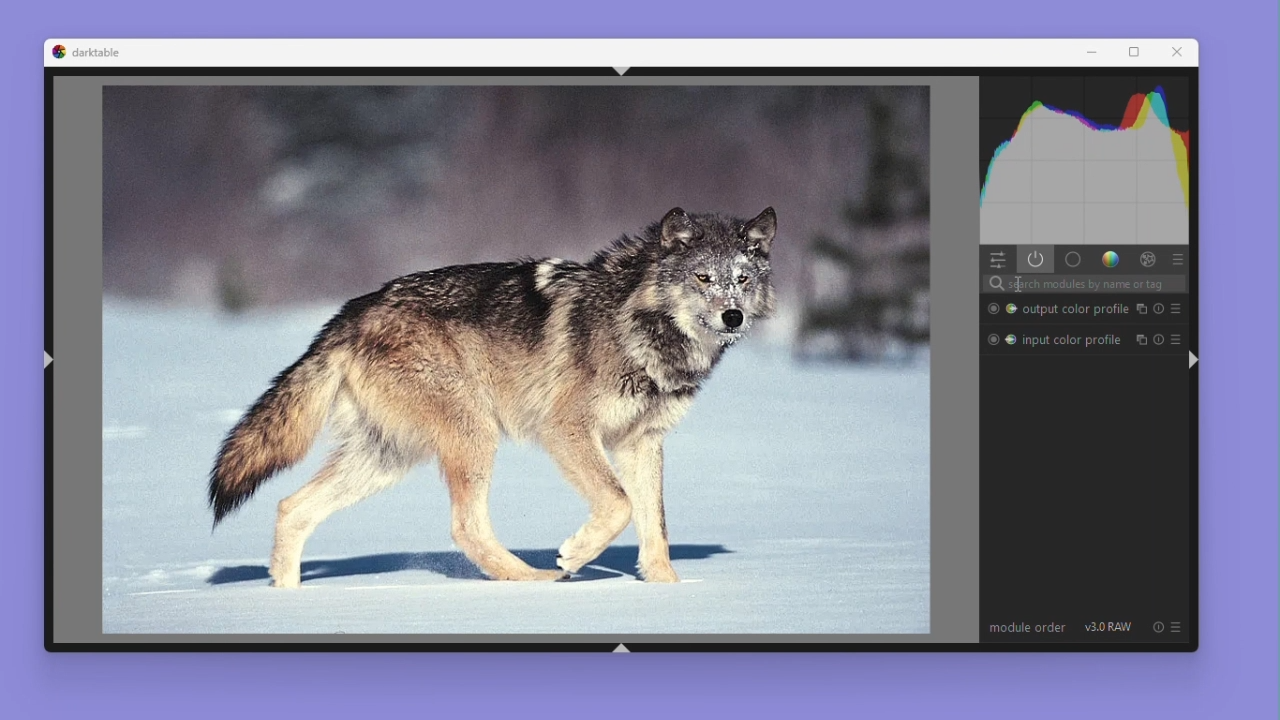 Image resolution: width=1280 pixels, height=720 pixels. Describe the element at coordinates (1074, 261) in the screenshot. I see `base` at that location.